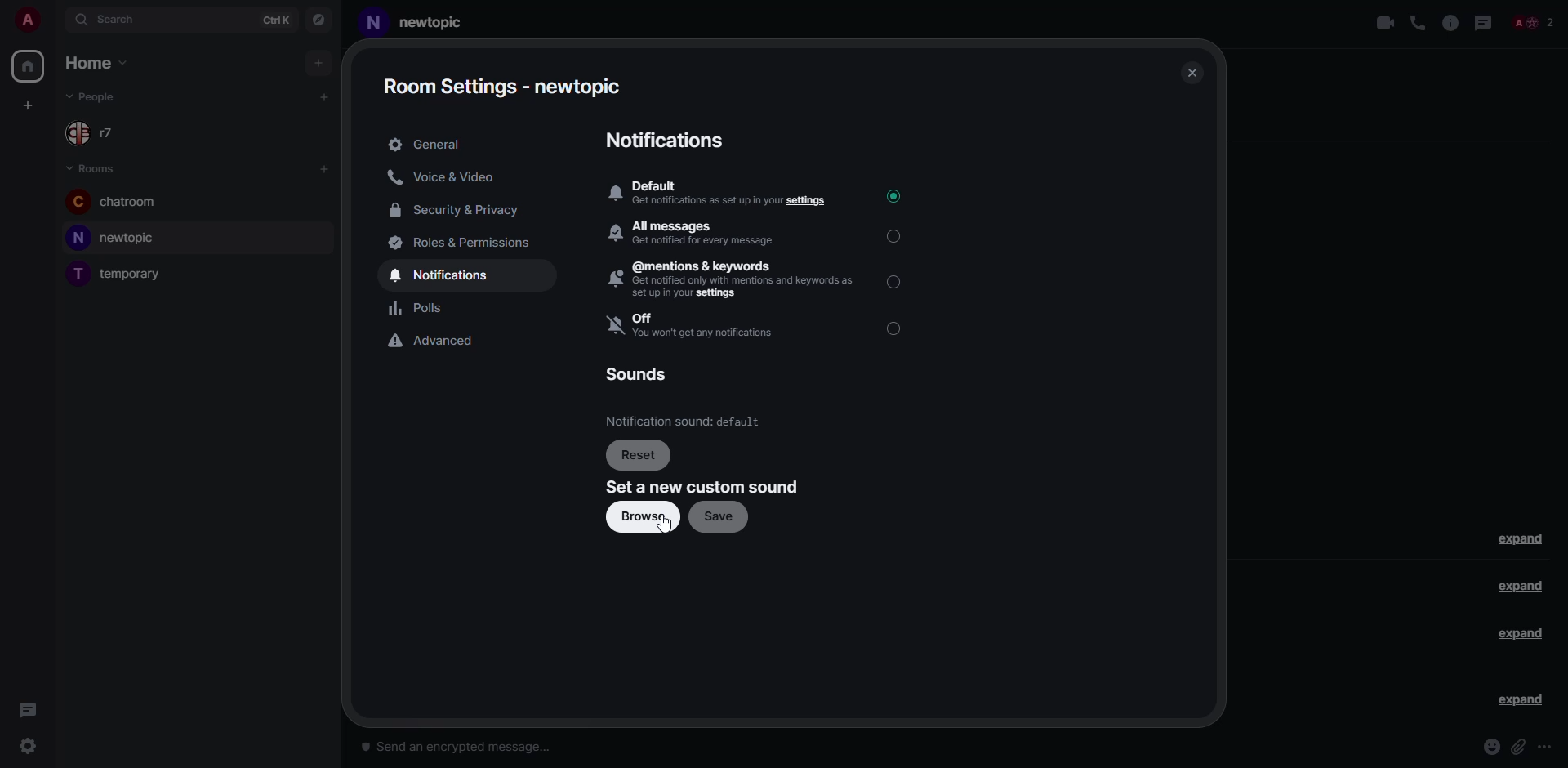 This screenshot has height=768, width=1568. I want to click on threads, so click(27, 707).